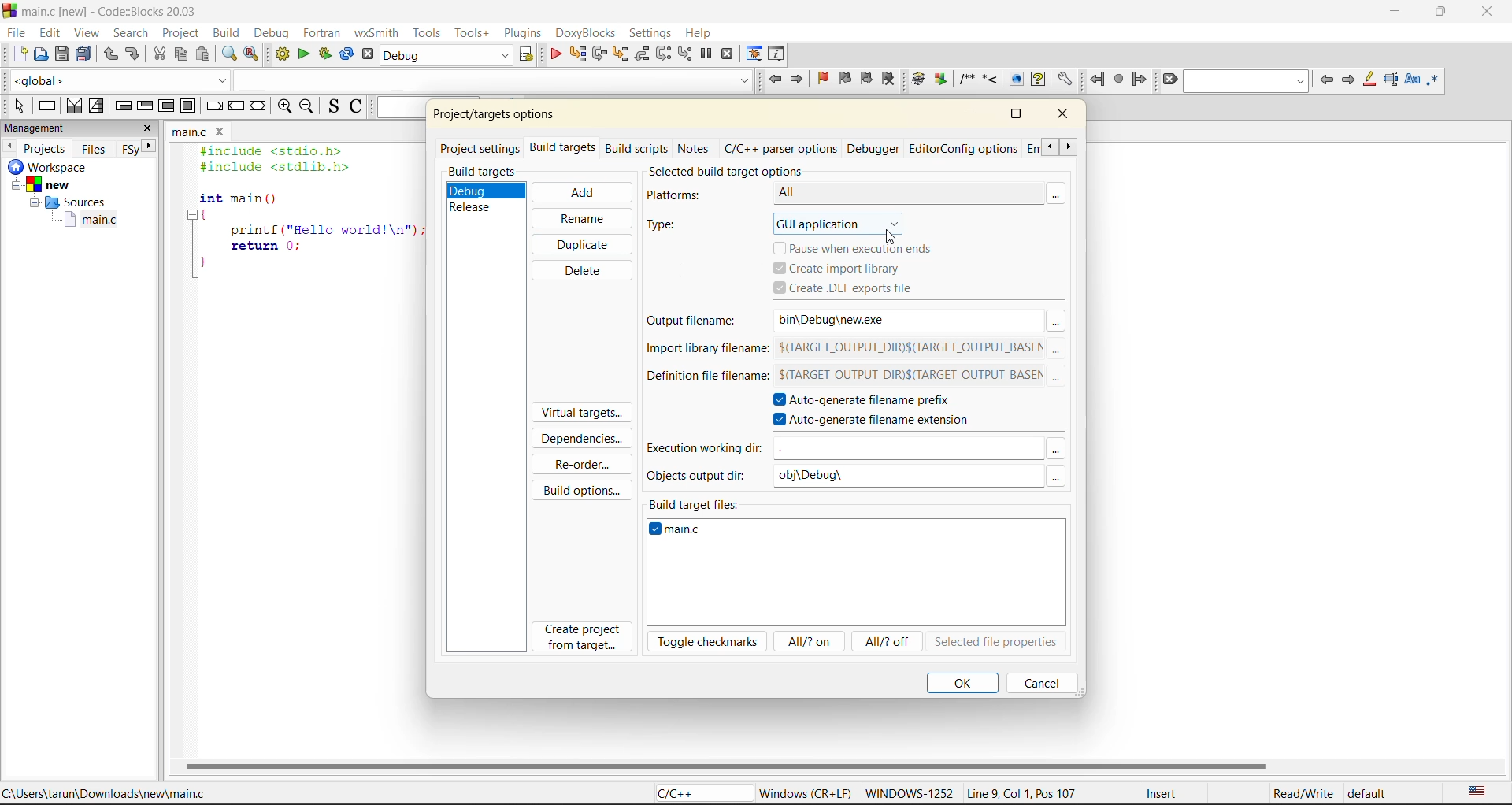 The height and width of the screenshot is (805, 1512). What do you see at coordinates (1488, 15) in the screenshot?
I see `close` at bounding box center [1488, 15].